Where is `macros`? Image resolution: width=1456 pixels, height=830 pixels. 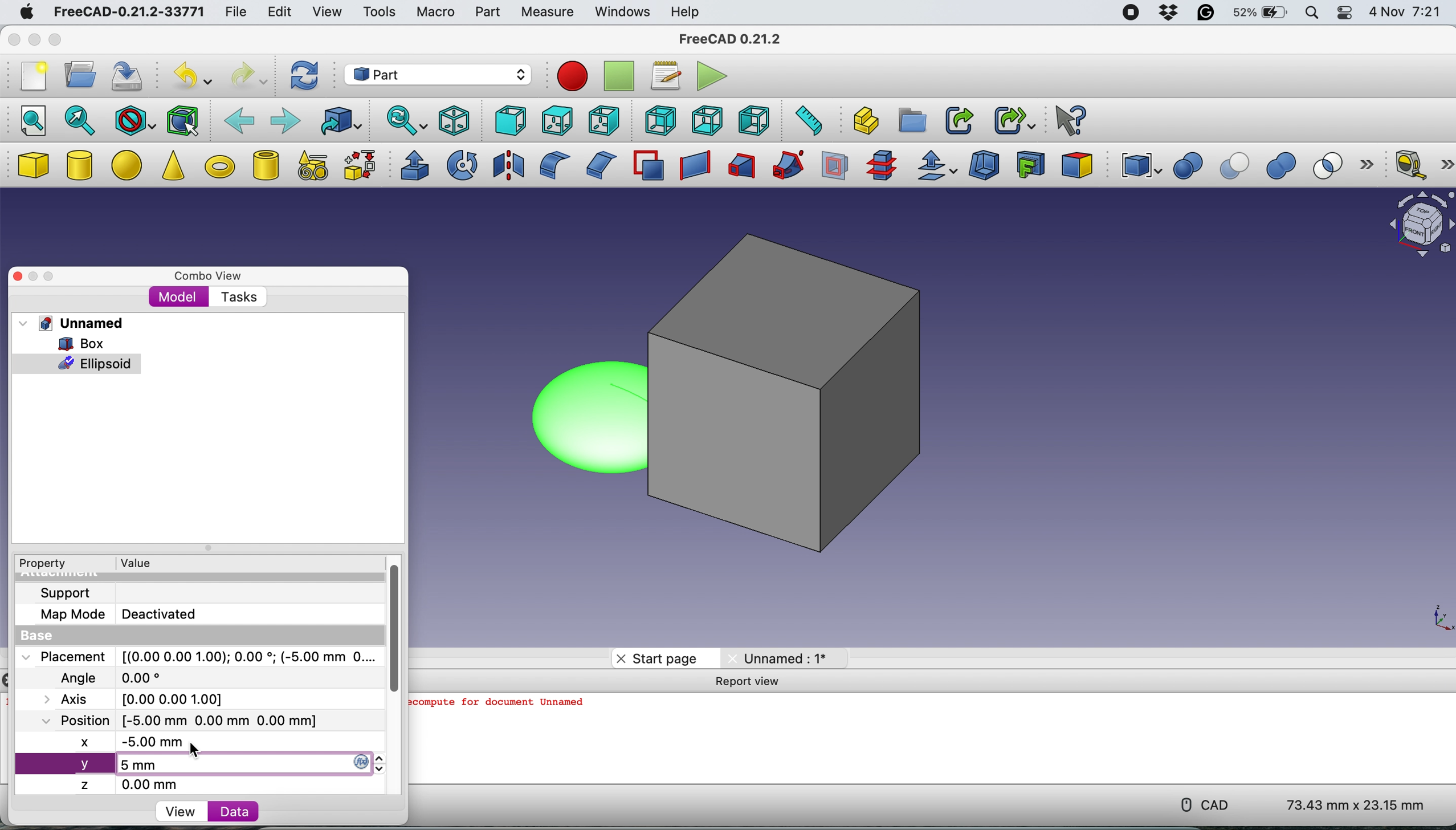
macros is located at coordinates (663, 76).